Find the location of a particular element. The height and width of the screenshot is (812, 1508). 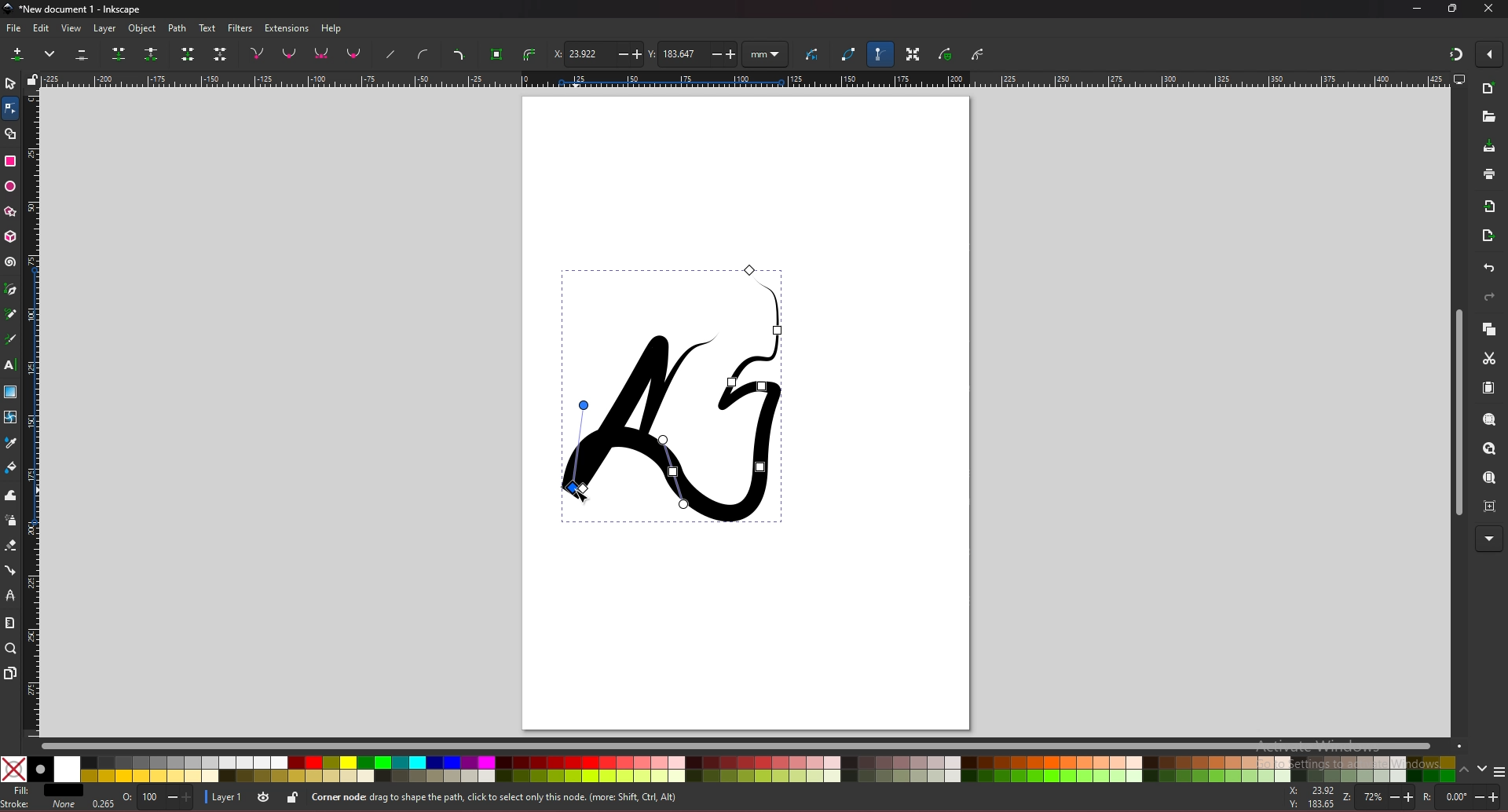

file is located at coordinates (13, 28).